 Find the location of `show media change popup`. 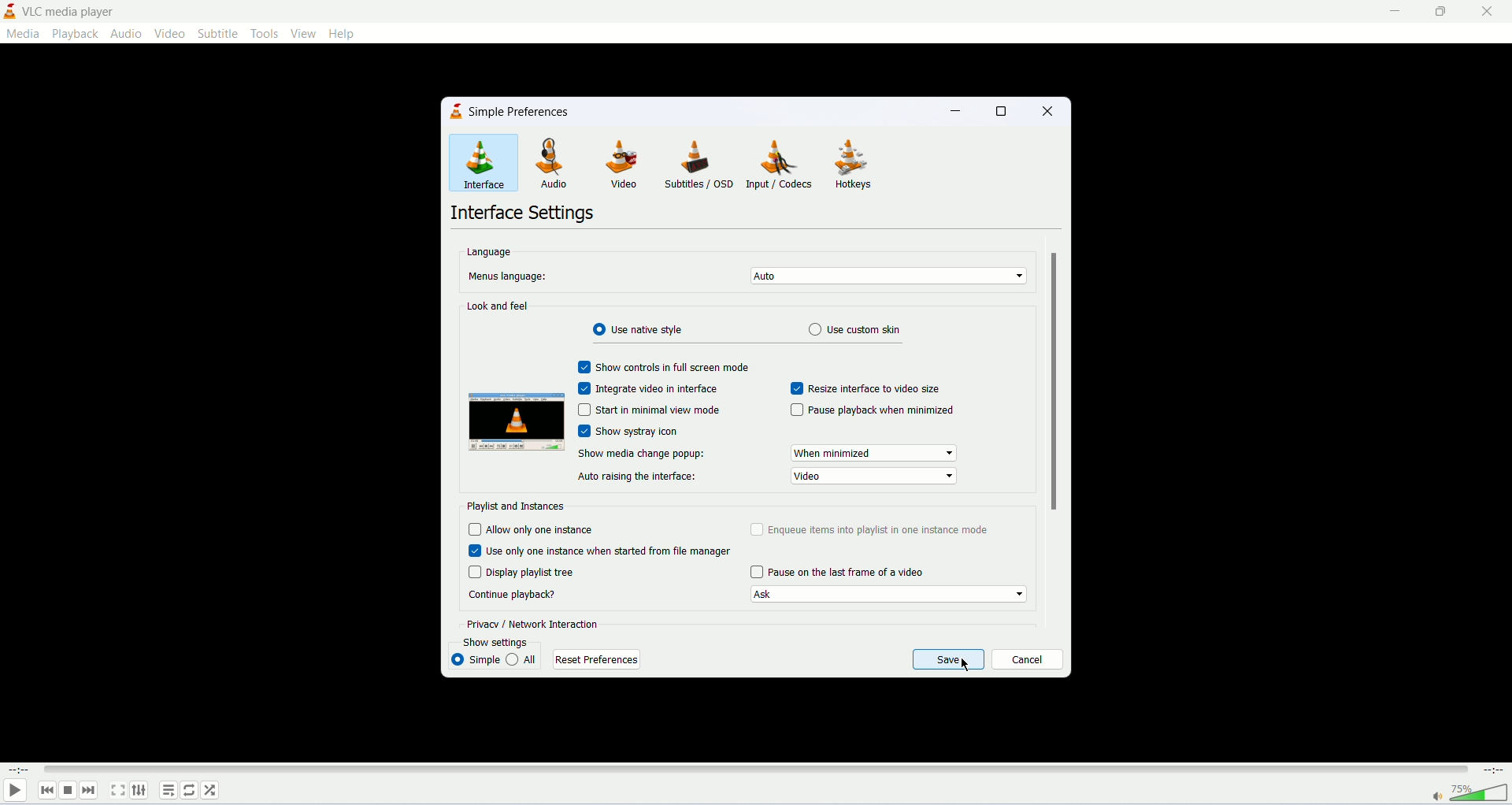

show media change popup is located at coordinates (642, 454).